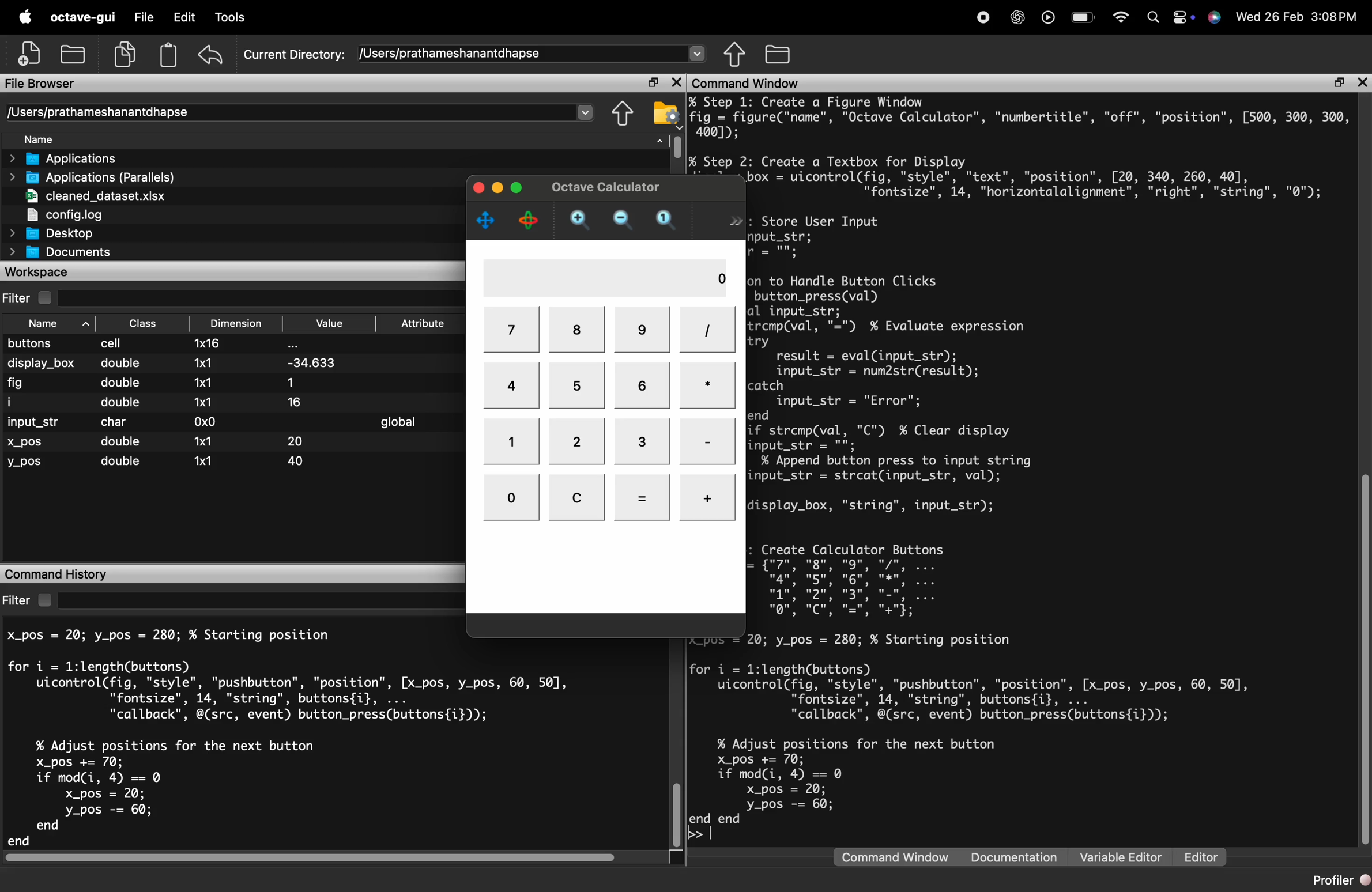  I want to click on close, so click(1361, 84).